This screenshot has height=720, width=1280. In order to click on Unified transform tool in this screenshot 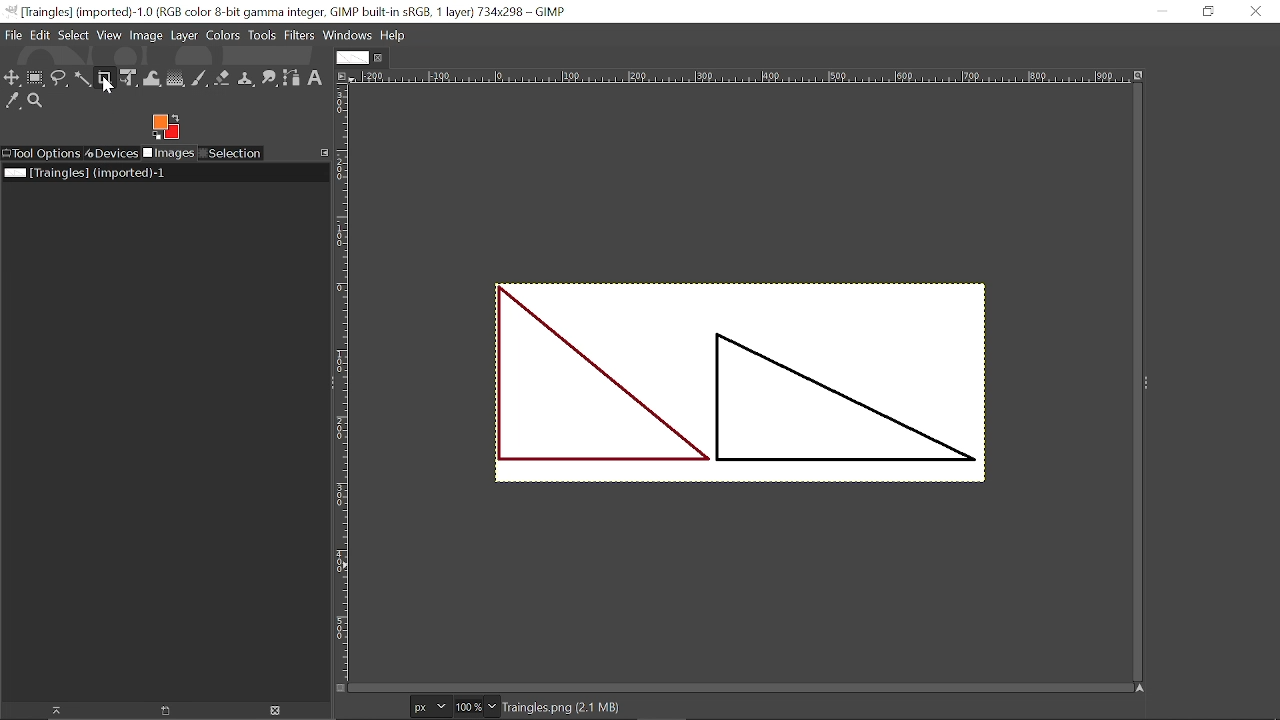, I will do `click(130, 78)`.